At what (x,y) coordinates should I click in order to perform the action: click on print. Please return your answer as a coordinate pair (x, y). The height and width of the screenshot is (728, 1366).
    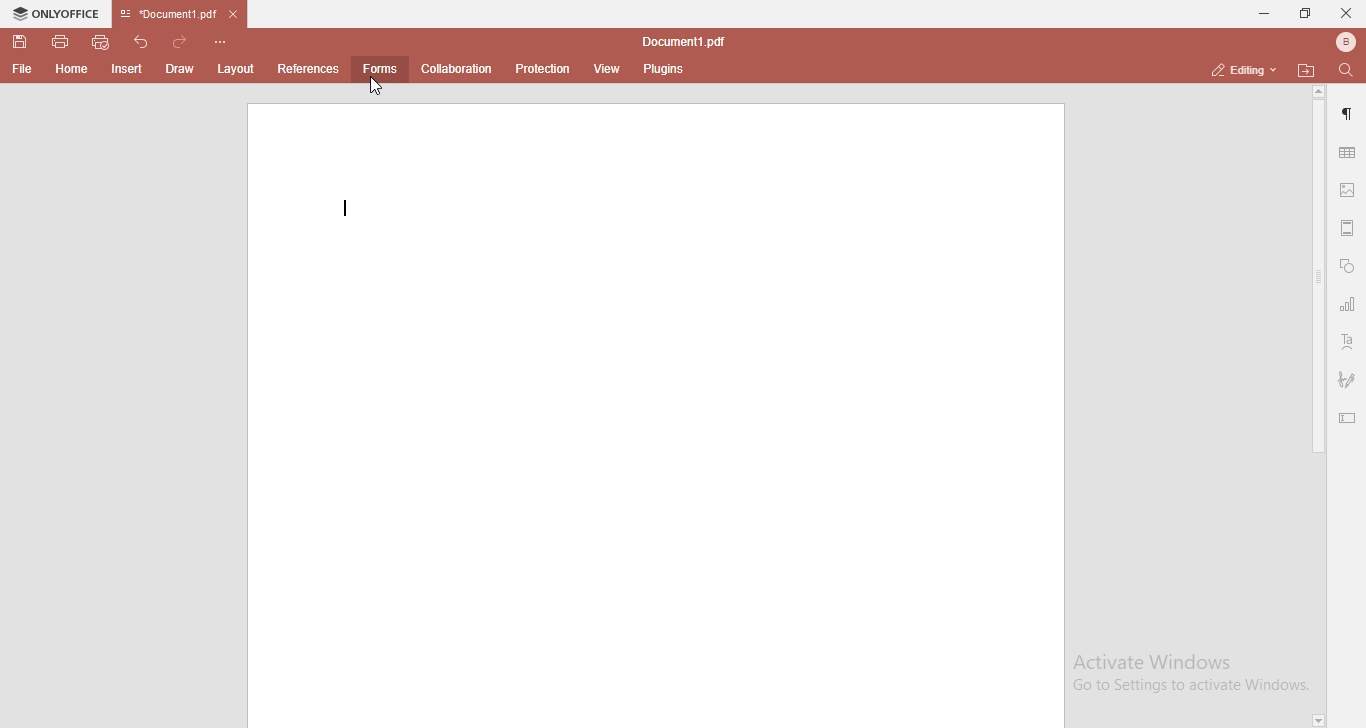
    Looking at the image, I should click on (59, 40).